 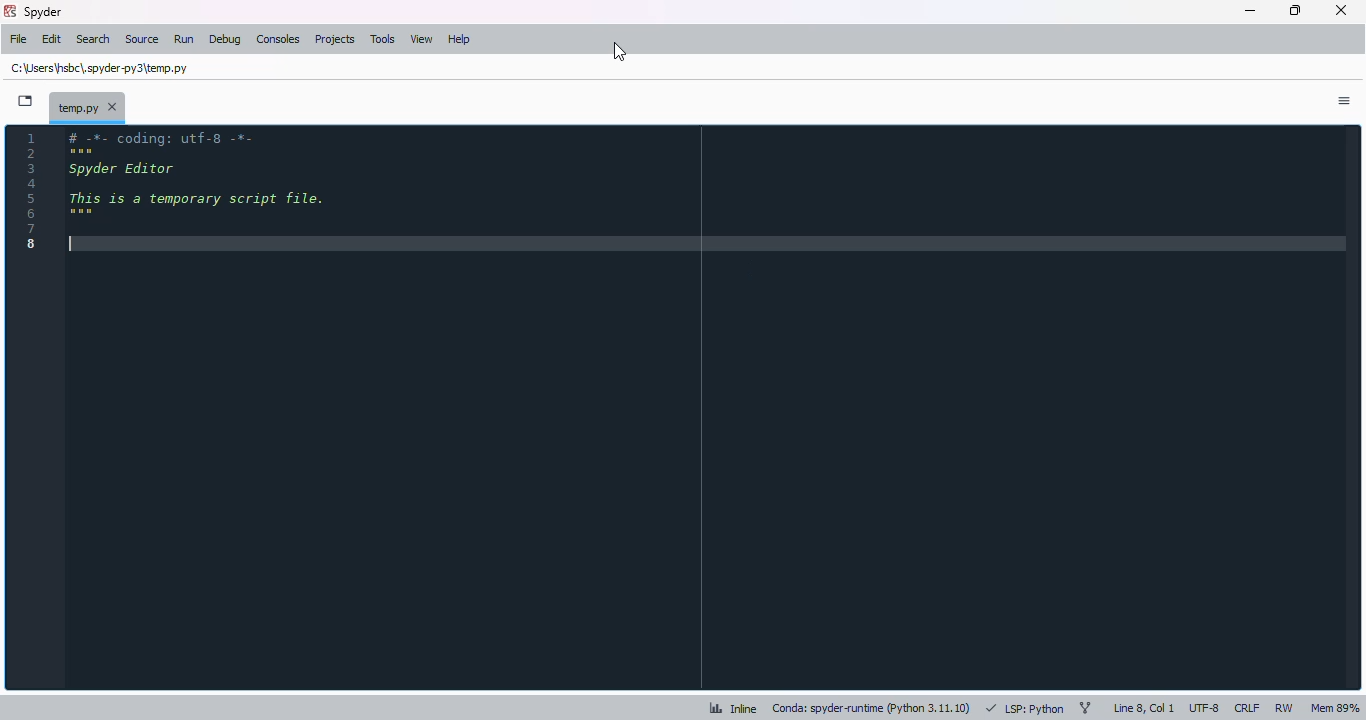 What do you see at coordinates (871, 709) in the screenshot?
I see `conda: spyder-runtime (python 3. 11. 10)` at bounding box center [871, 709].